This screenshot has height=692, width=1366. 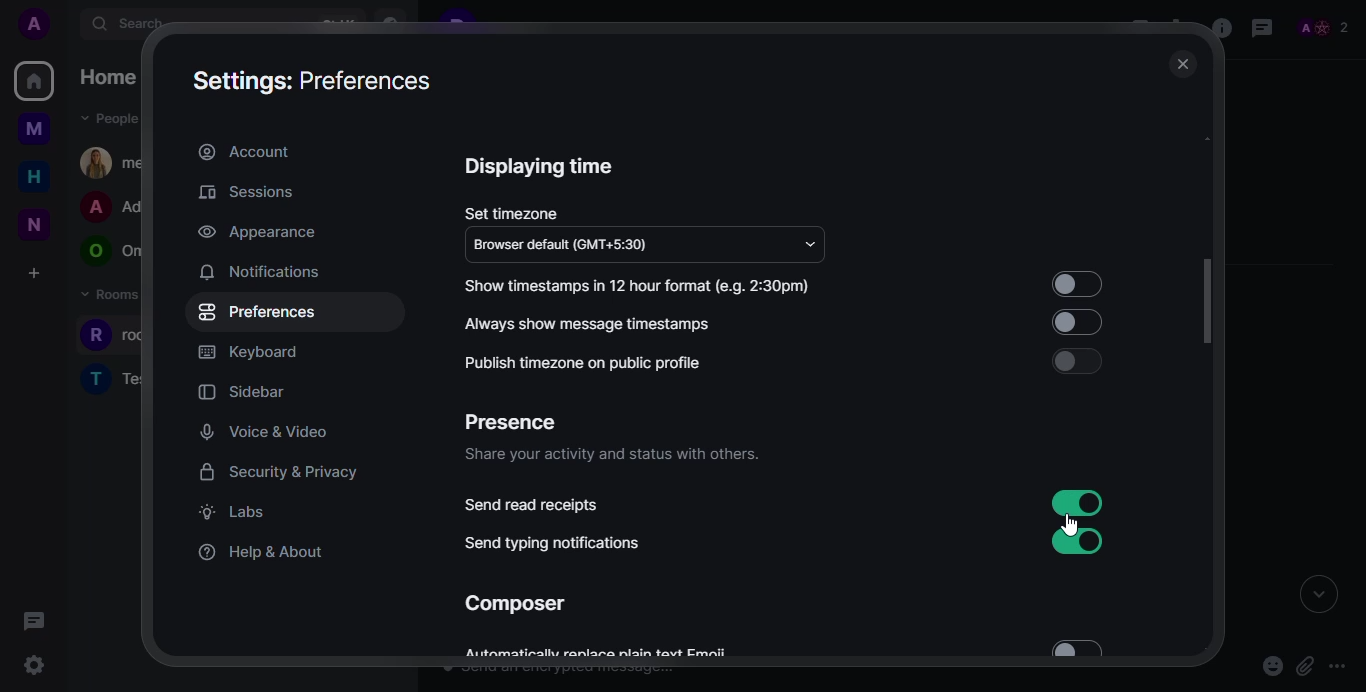 What do you see at coordinates (116, 162) in the screenshot?
I see `people` at bounding box center [116, 162].